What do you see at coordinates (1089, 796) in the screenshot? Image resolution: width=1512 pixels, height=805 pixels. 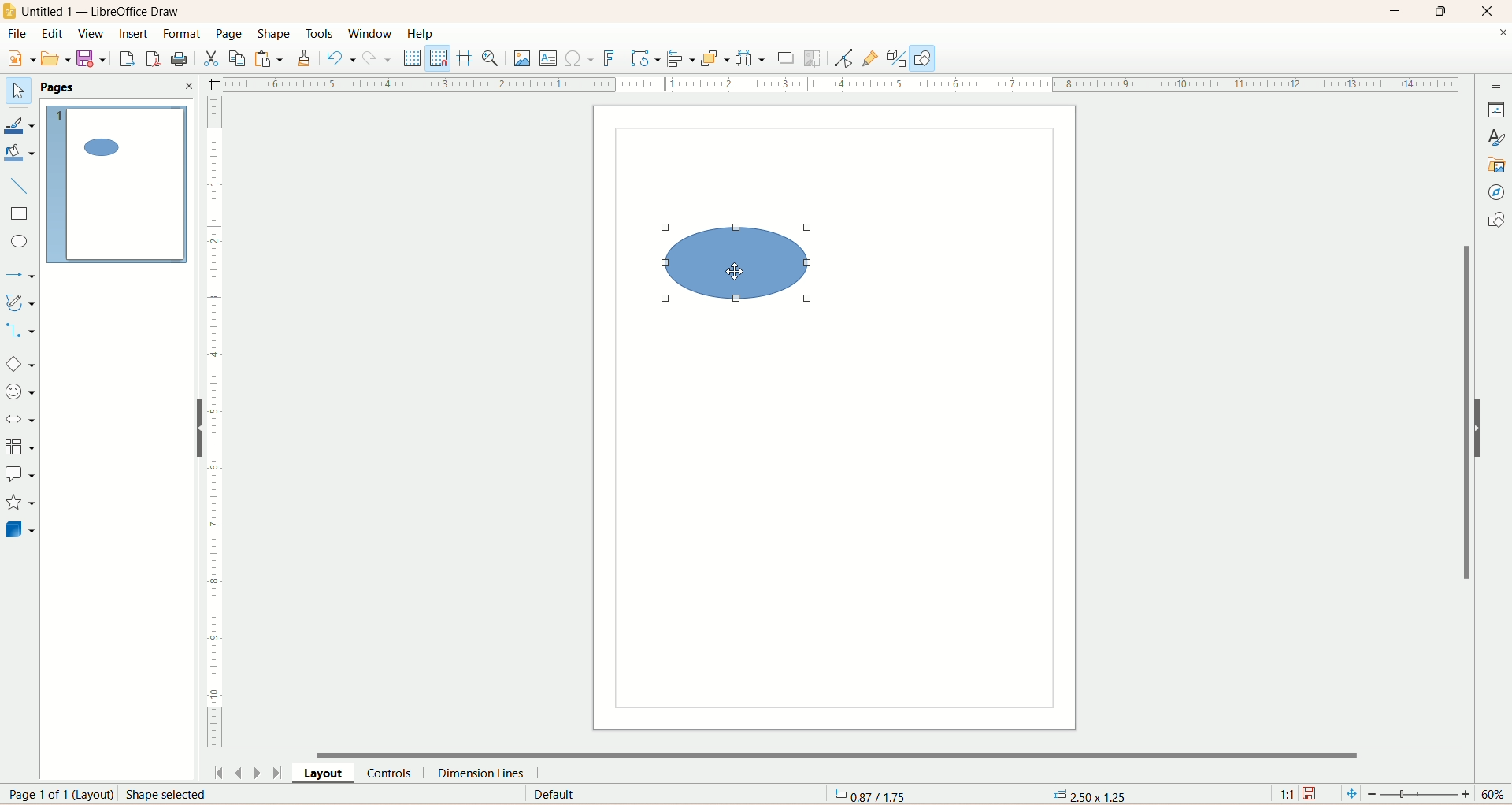 I see `anchor point` at bounding box center [1089, 796].